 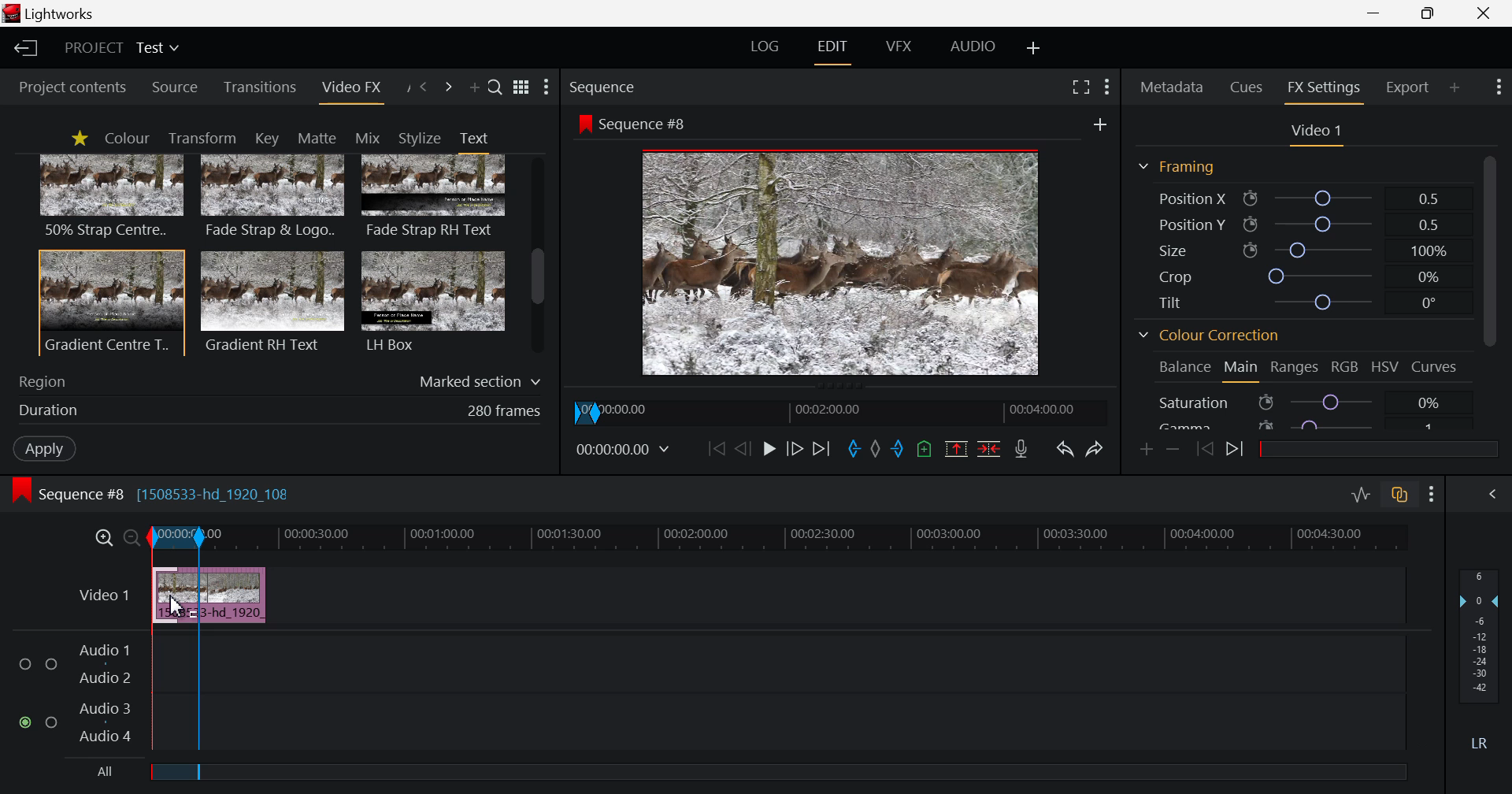 What do you see at coordinates (925, 450) in the screenshot?
I see `Mark Cue` at bounding box center [925, 450].